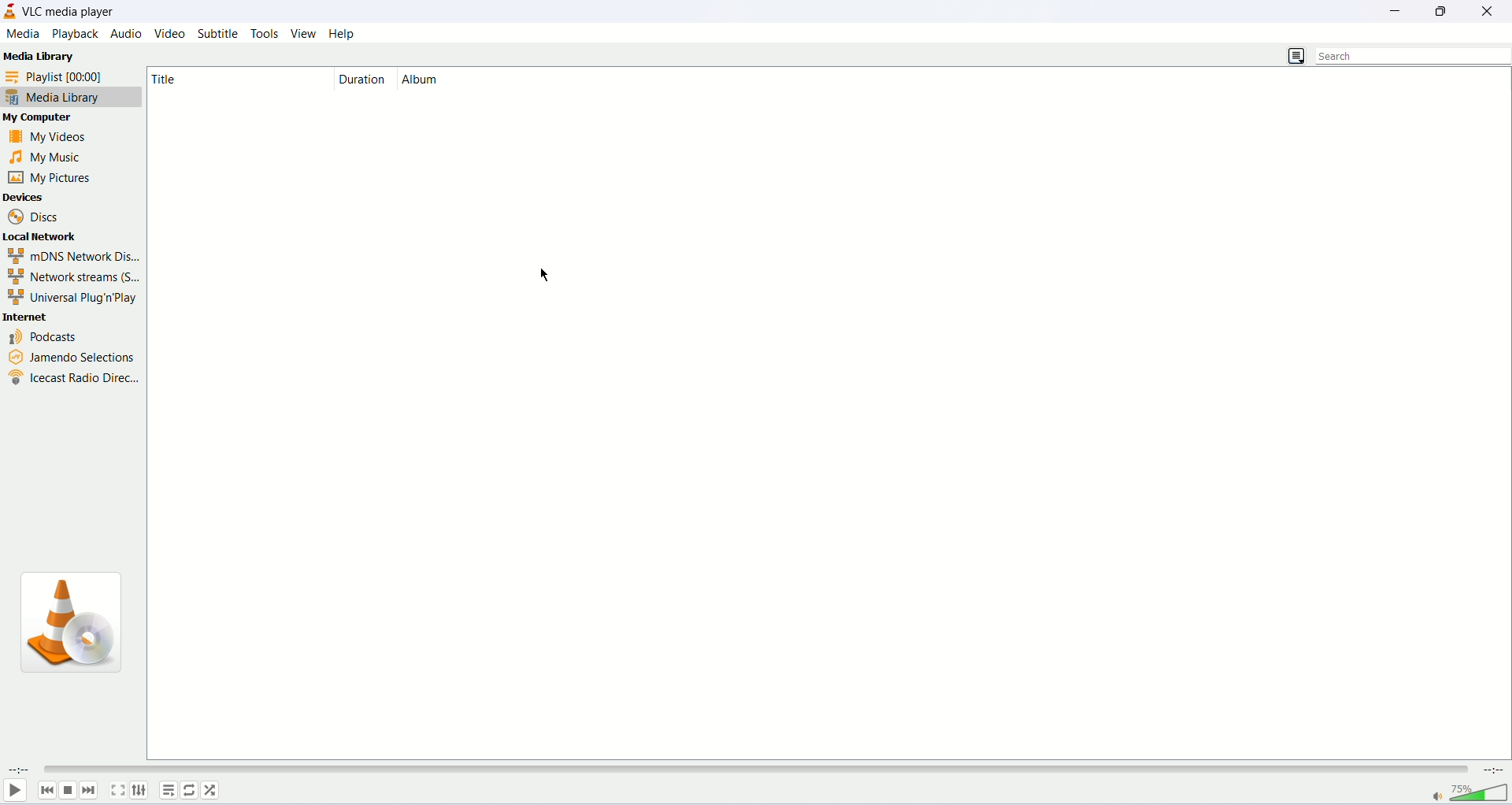 The width and height of the screenshot is (1512, 805). What do you see at coordinates (216, 33) in the screenshot?
I see `subtitle` at bounding box center [216, 33].